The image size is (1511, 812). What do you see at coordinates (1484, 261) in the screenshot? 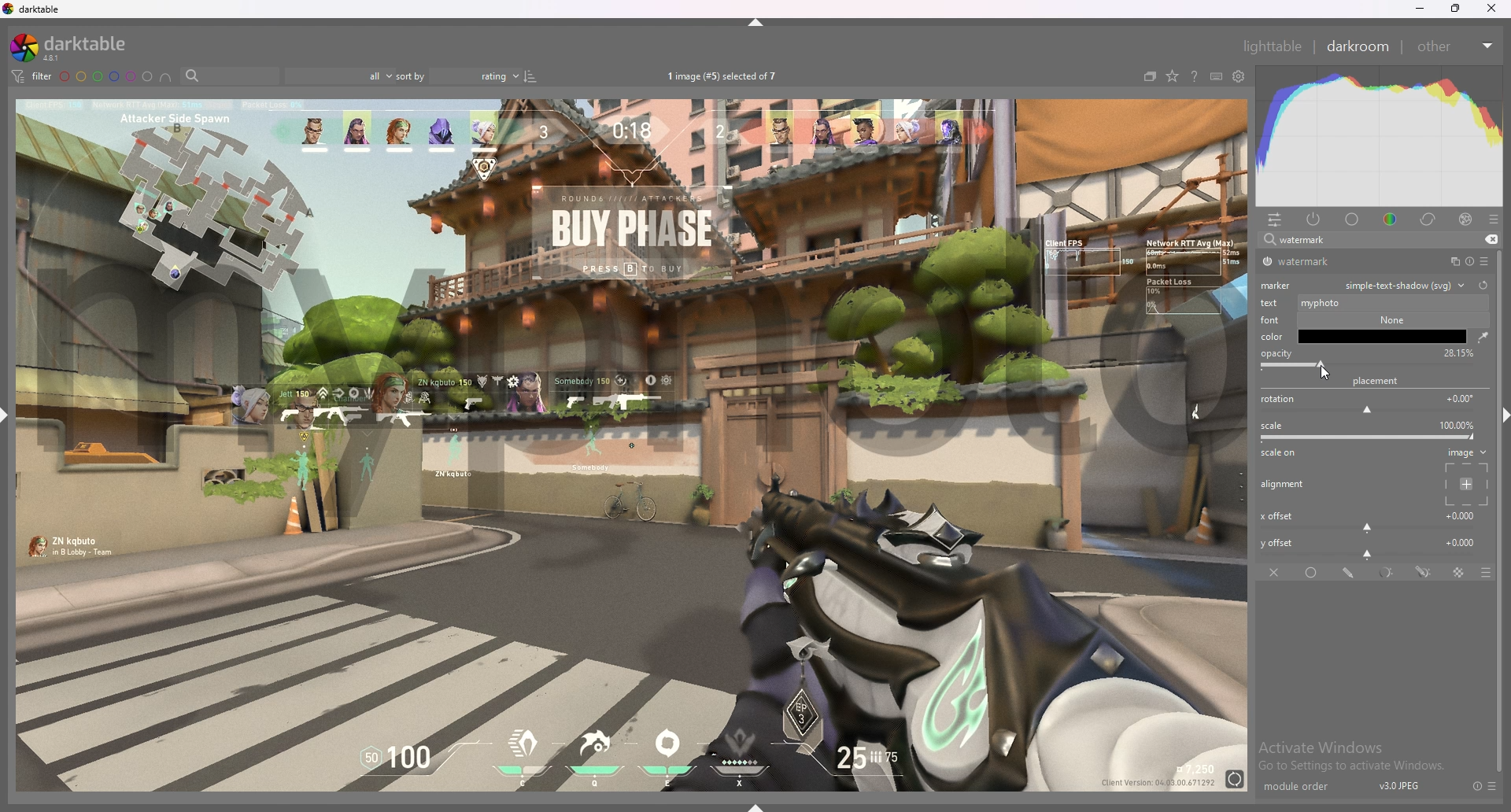
I see `presets` at bounding box center [1484, 261].